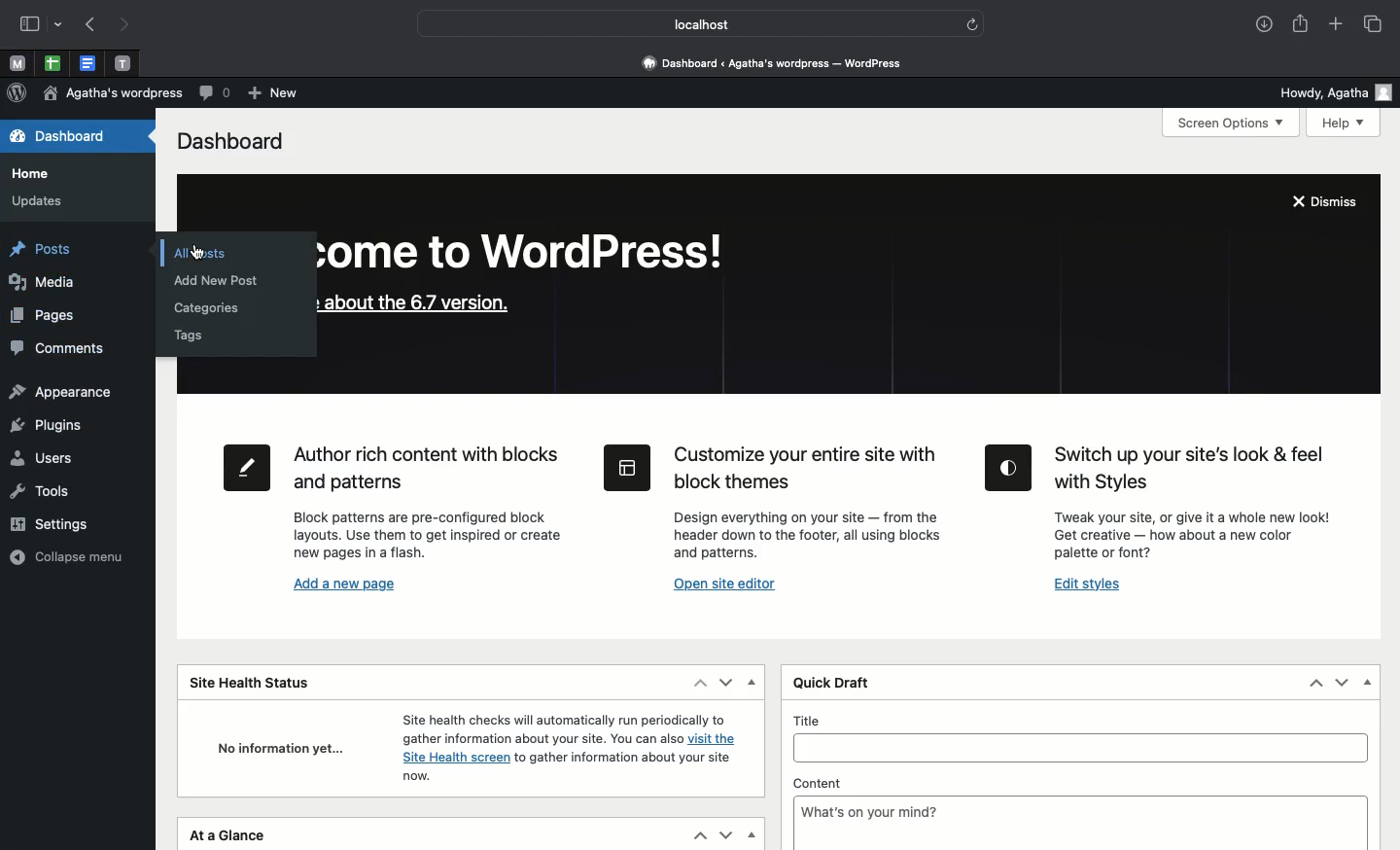 The image size is (1400, 850). I want to click on Dashboard, so click(230, 140).